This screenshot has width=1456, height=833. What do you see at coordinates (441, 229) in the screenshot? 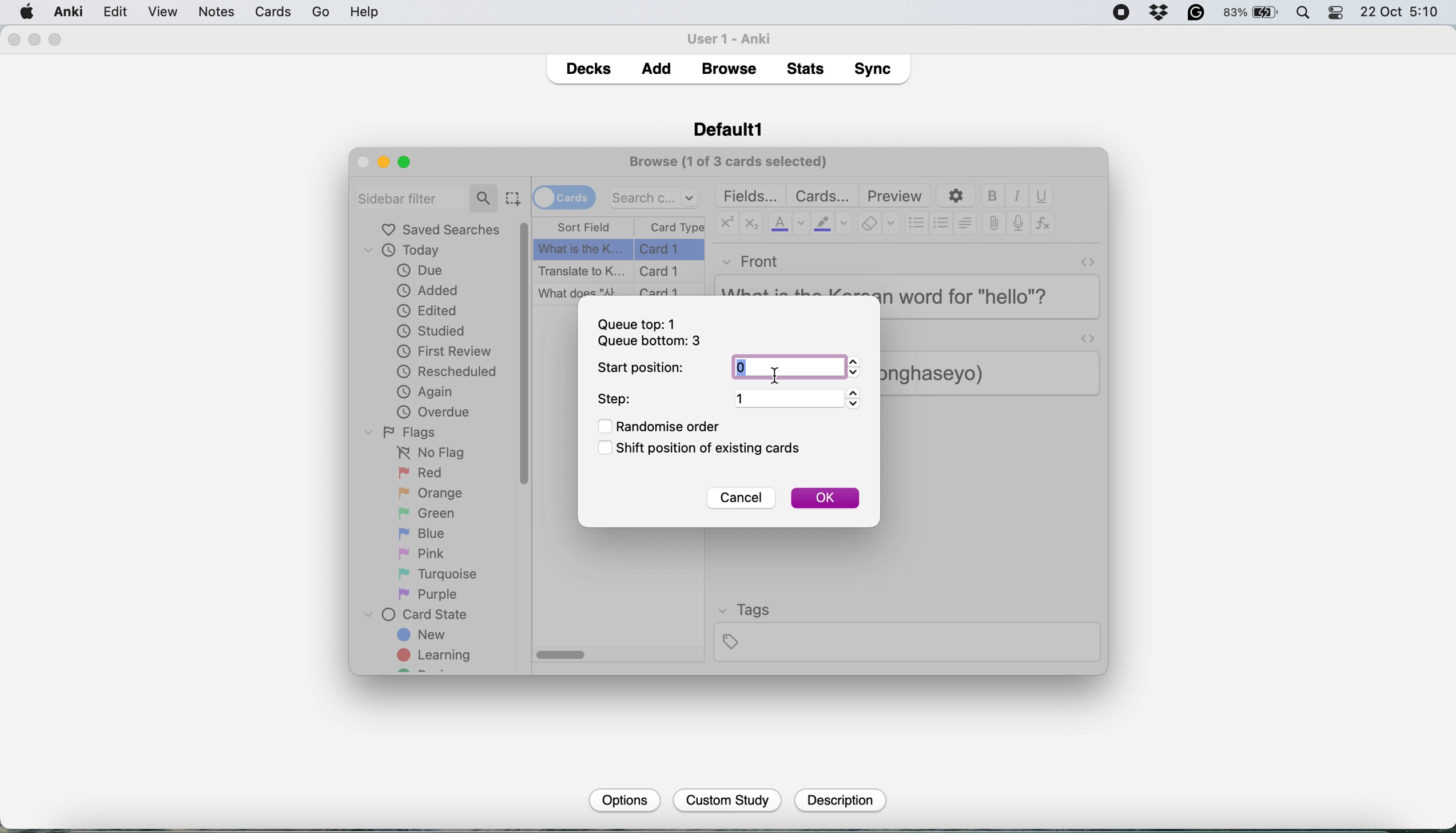
I see `saved searches` at bounding box center [441, 229].